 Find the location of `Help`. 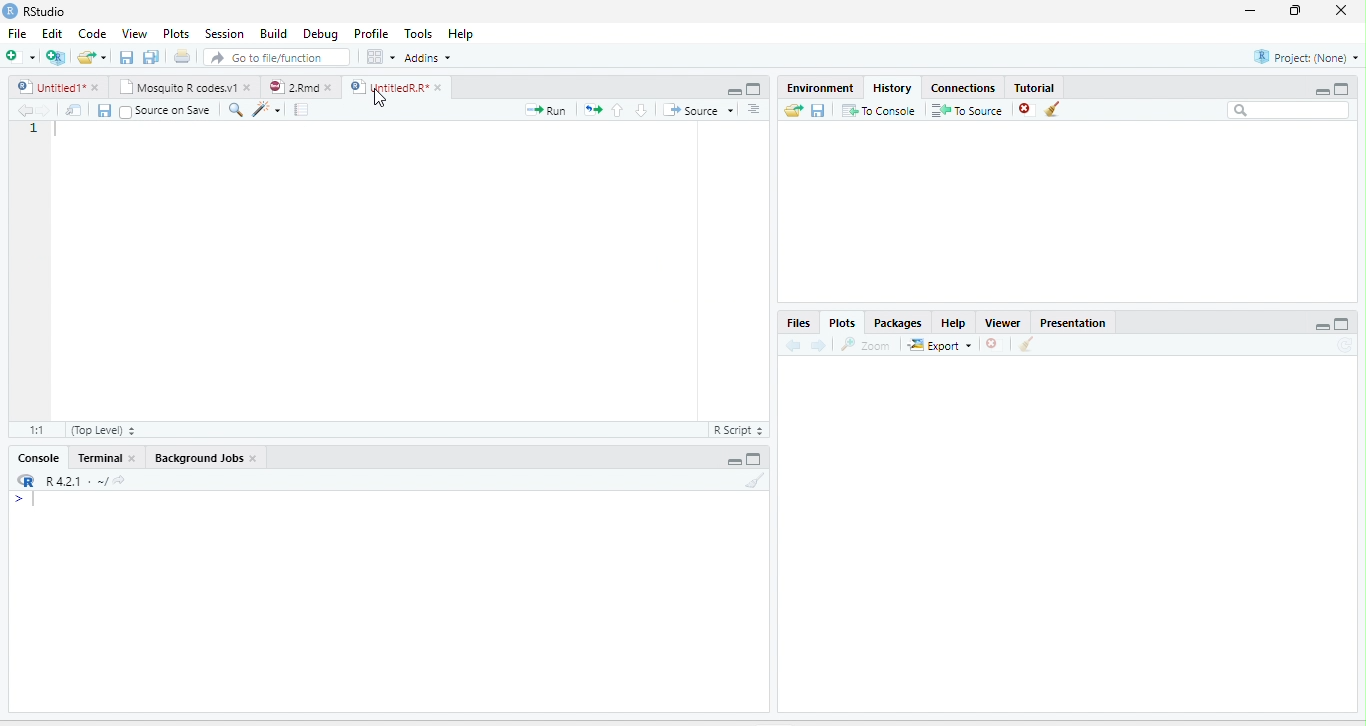

Help is located at coordinates (460, 33).